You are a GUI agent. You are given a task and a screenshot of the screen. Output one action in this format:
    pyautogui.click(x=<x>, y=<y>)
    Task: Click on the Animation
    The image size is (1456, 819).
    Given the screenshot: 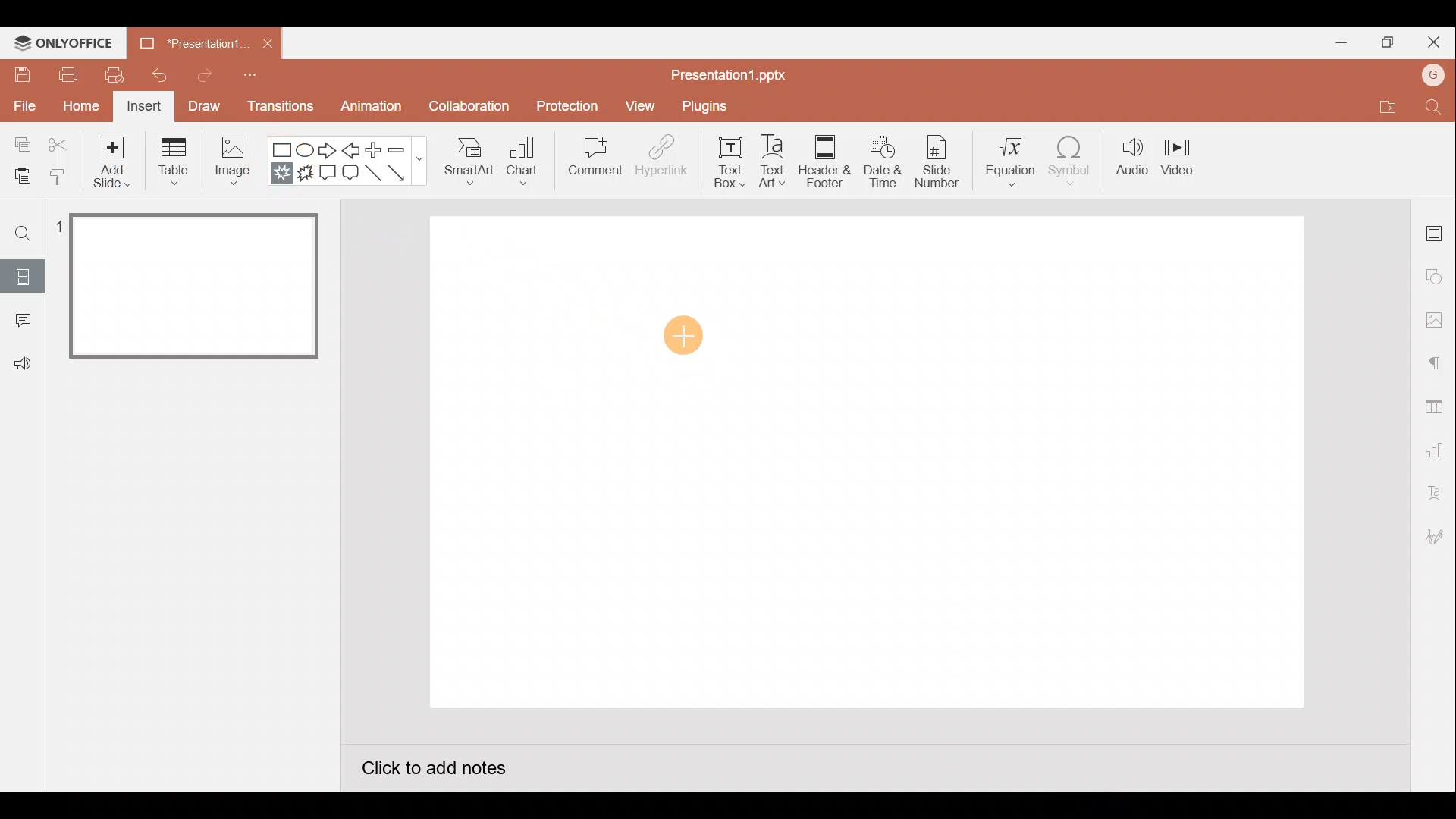 What is the action you would take?
    pyautogui.click(x=368, y=109)
    